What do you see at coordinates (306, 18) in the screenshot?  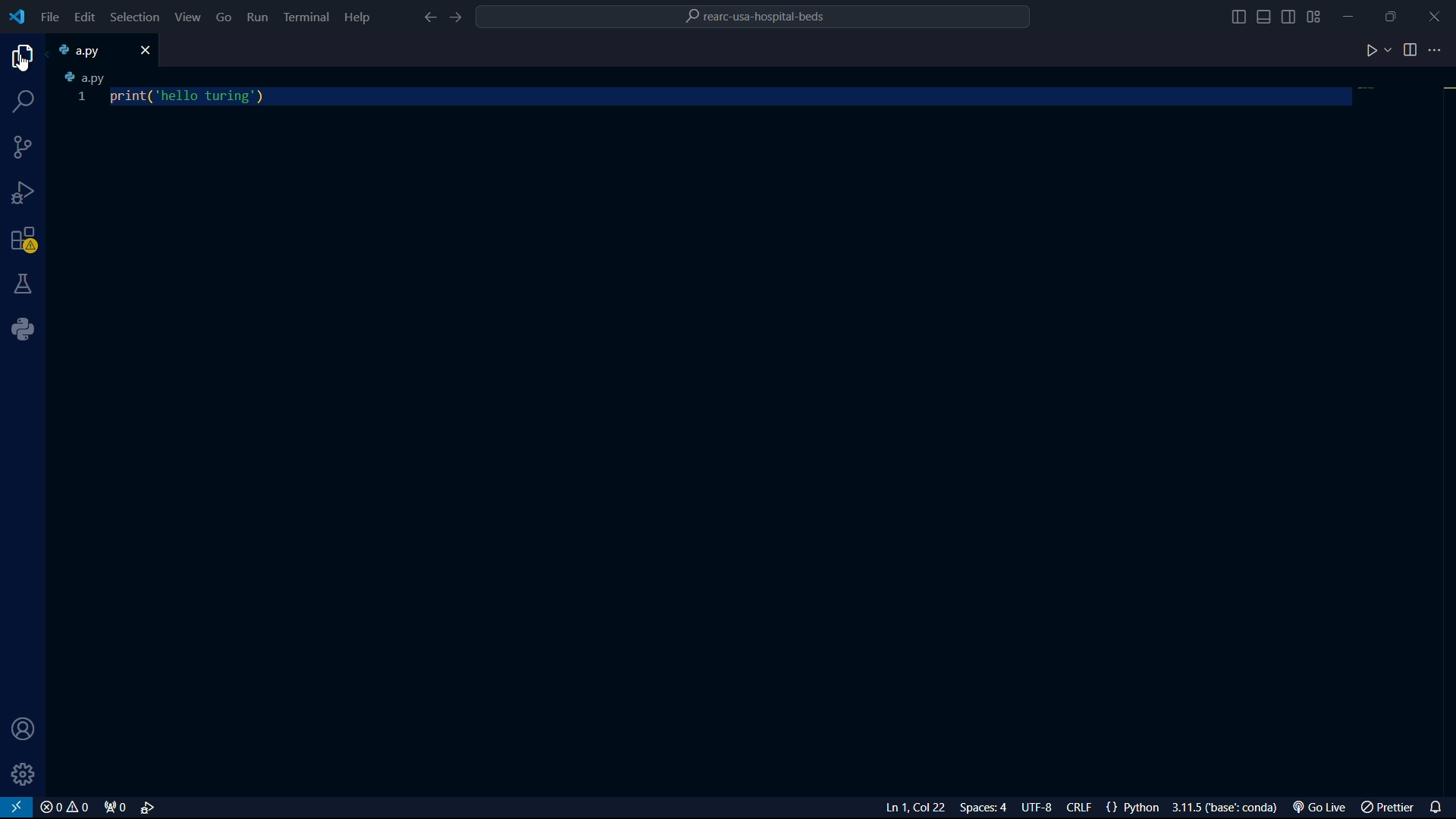 I see `terminal menu` at bounding box center [306, 18].